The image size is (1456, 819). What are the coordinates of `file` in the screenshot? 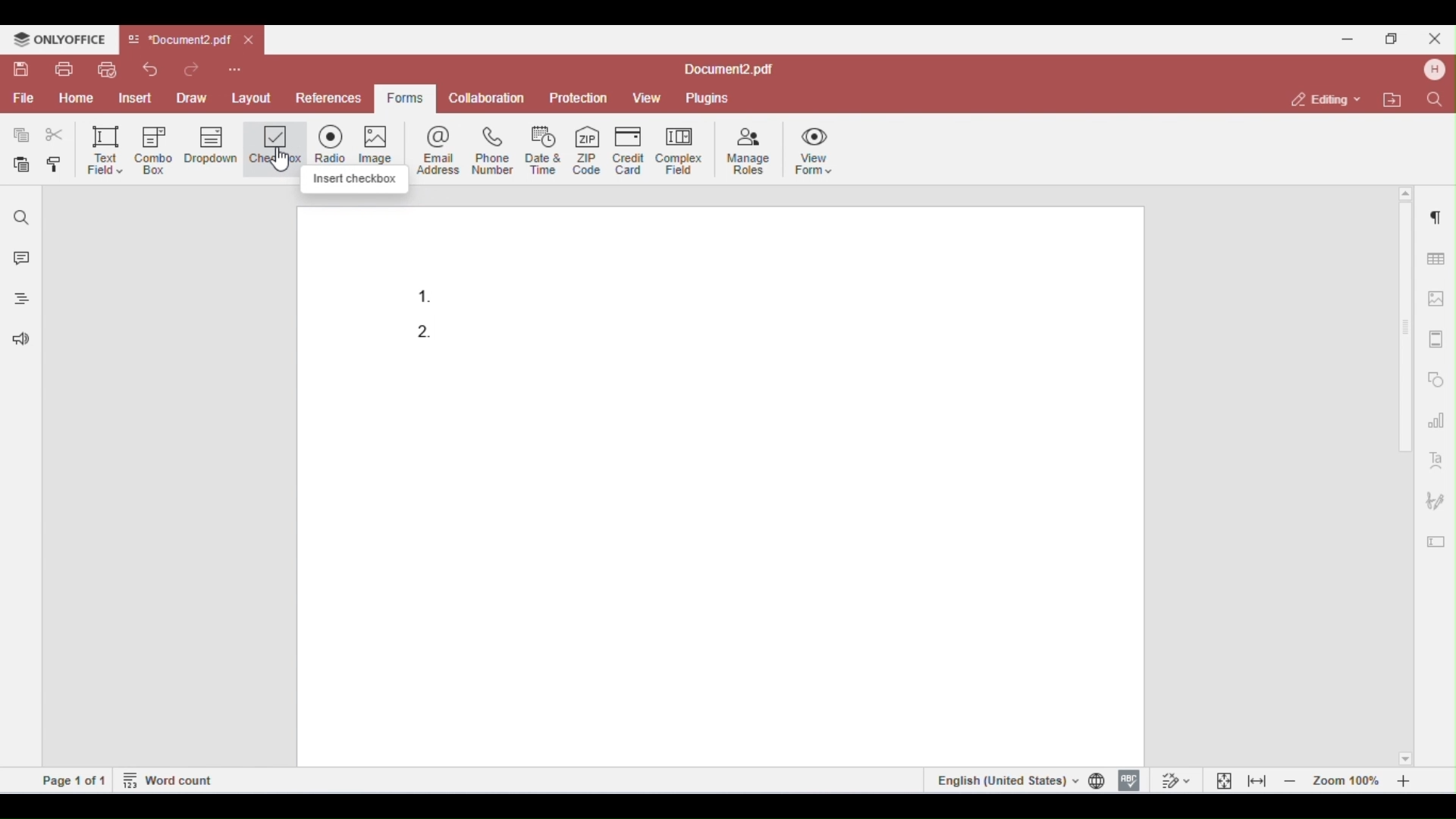 It's located at (22, 99).